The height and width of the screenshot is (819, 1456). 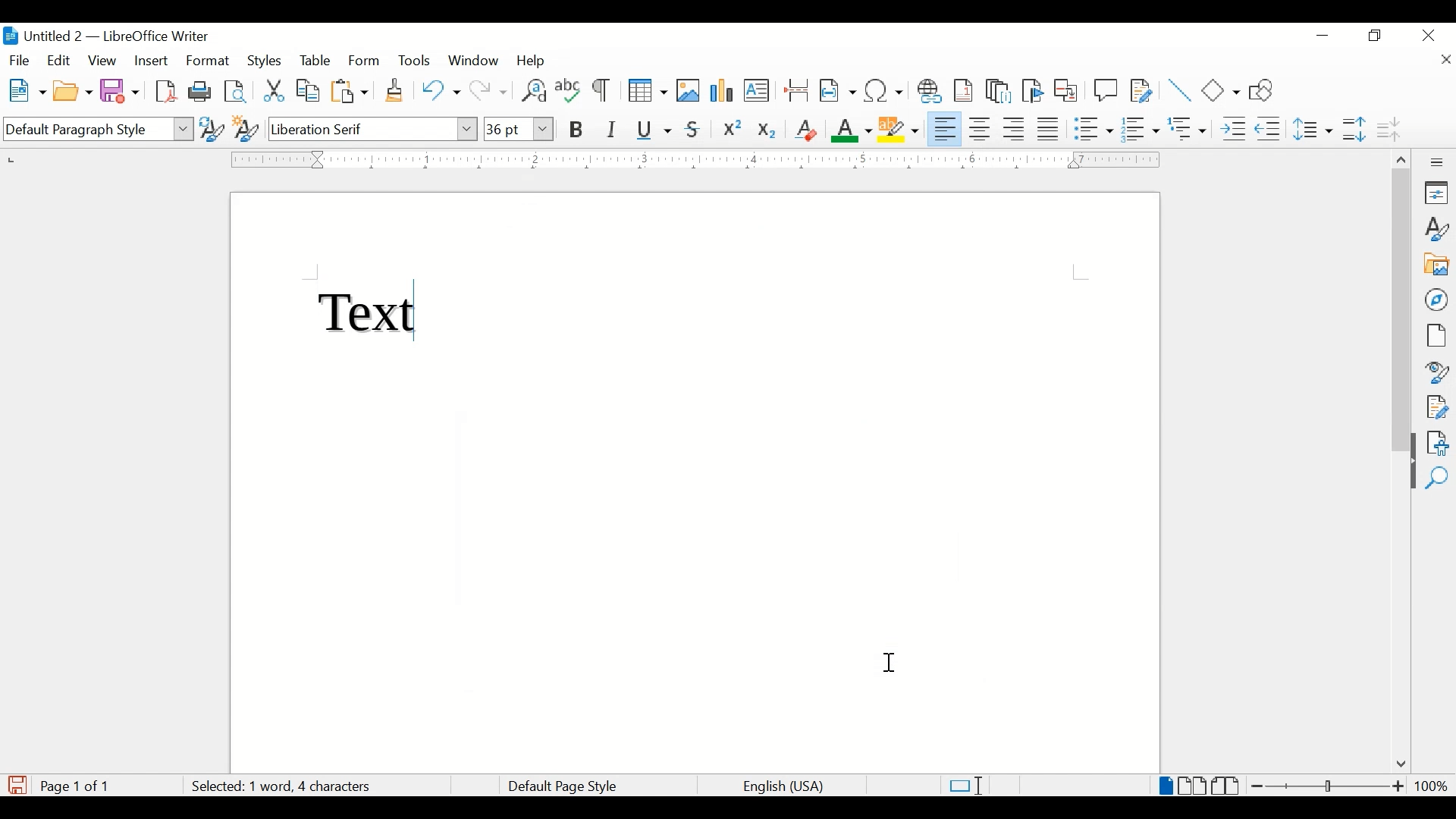 What do you see at coordinates (689, 90) in the screenshot?
I see `insert image` at bounding box center [689, 90].